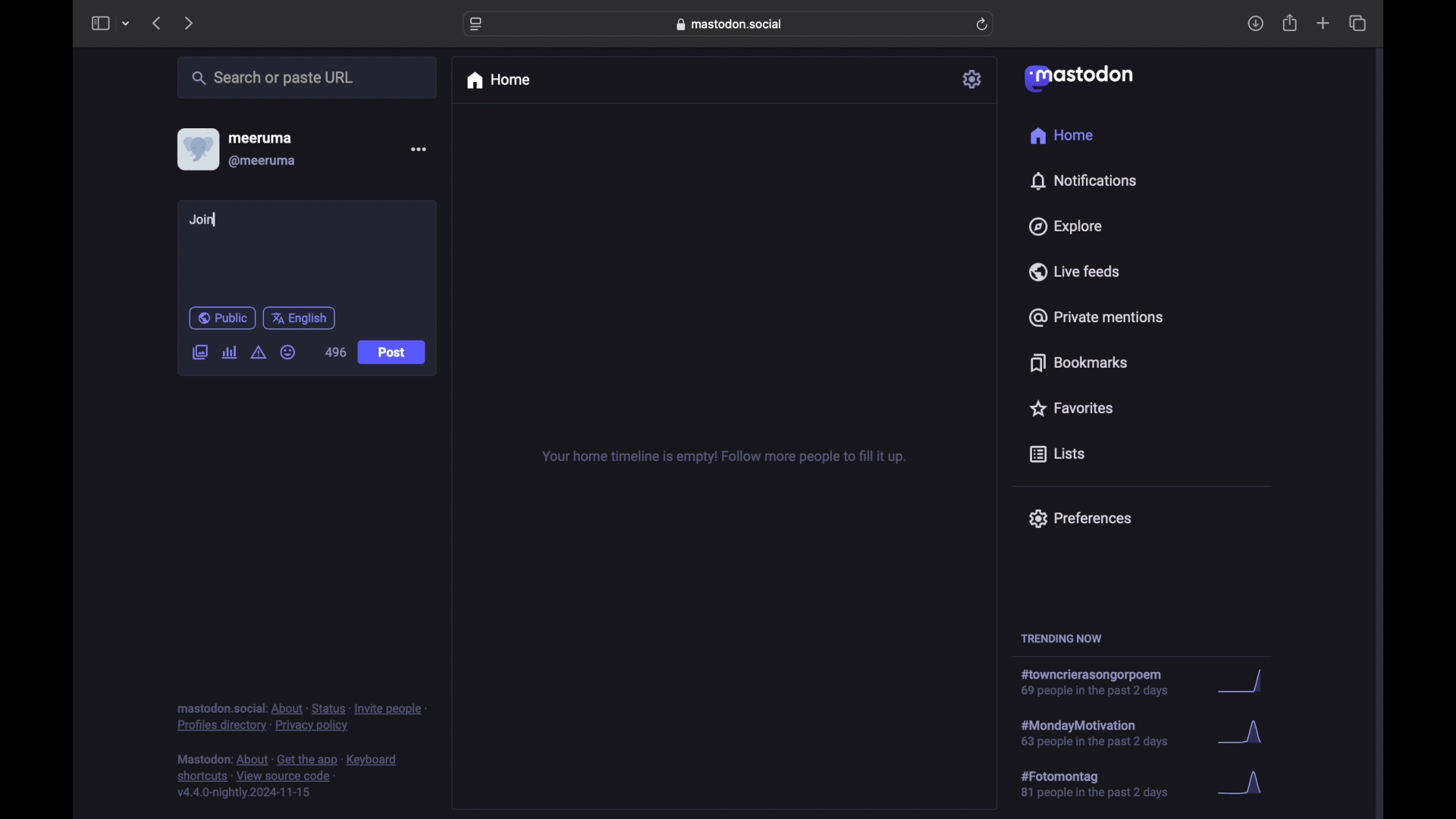 The image size is (1456, 819). I want to click on more options, so click(419, 149).